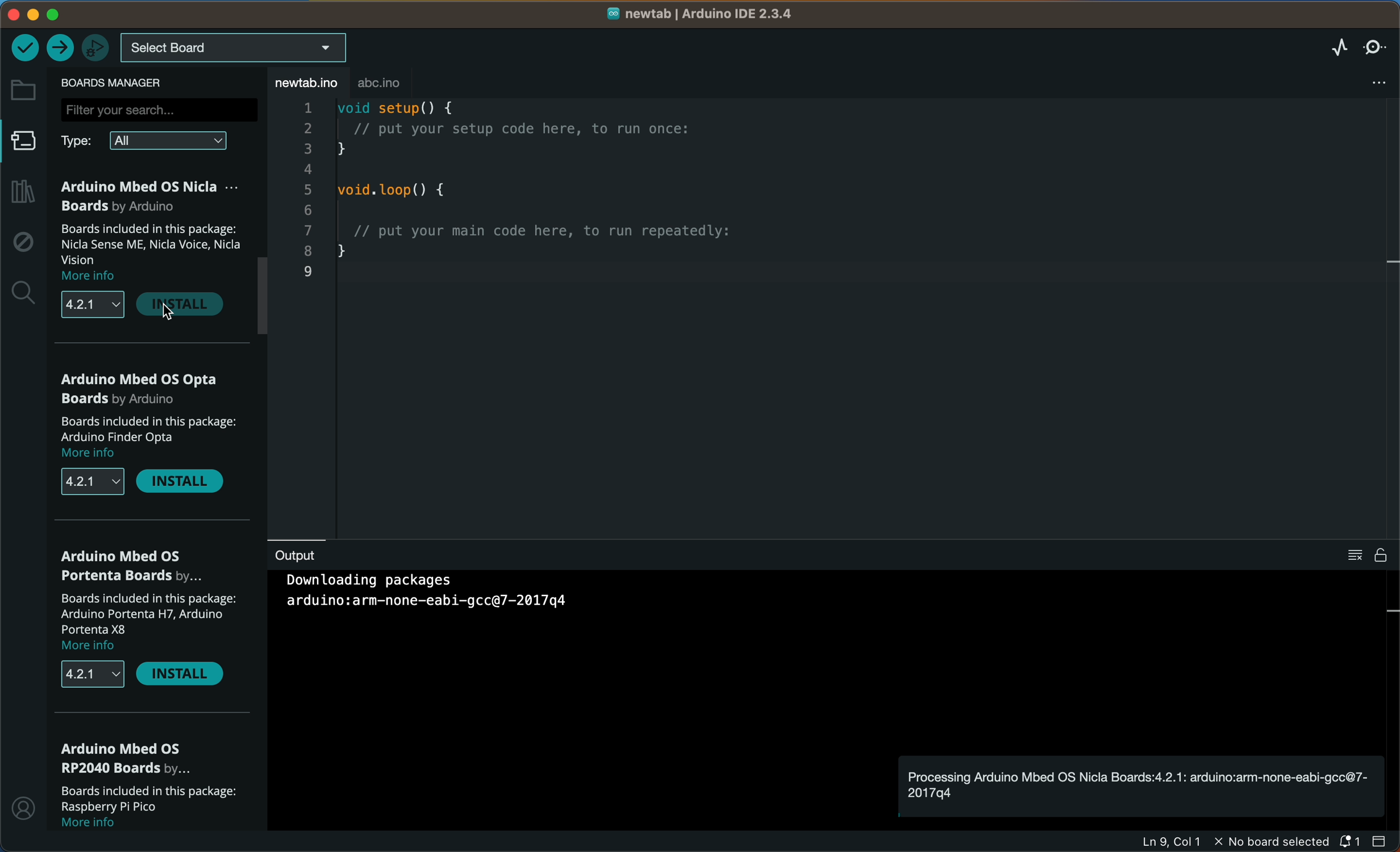 This screenshot has height=852, width=1400. Describe the element at coordinates (1382, 553) in the screenshot. I see `file is writable` at that location.